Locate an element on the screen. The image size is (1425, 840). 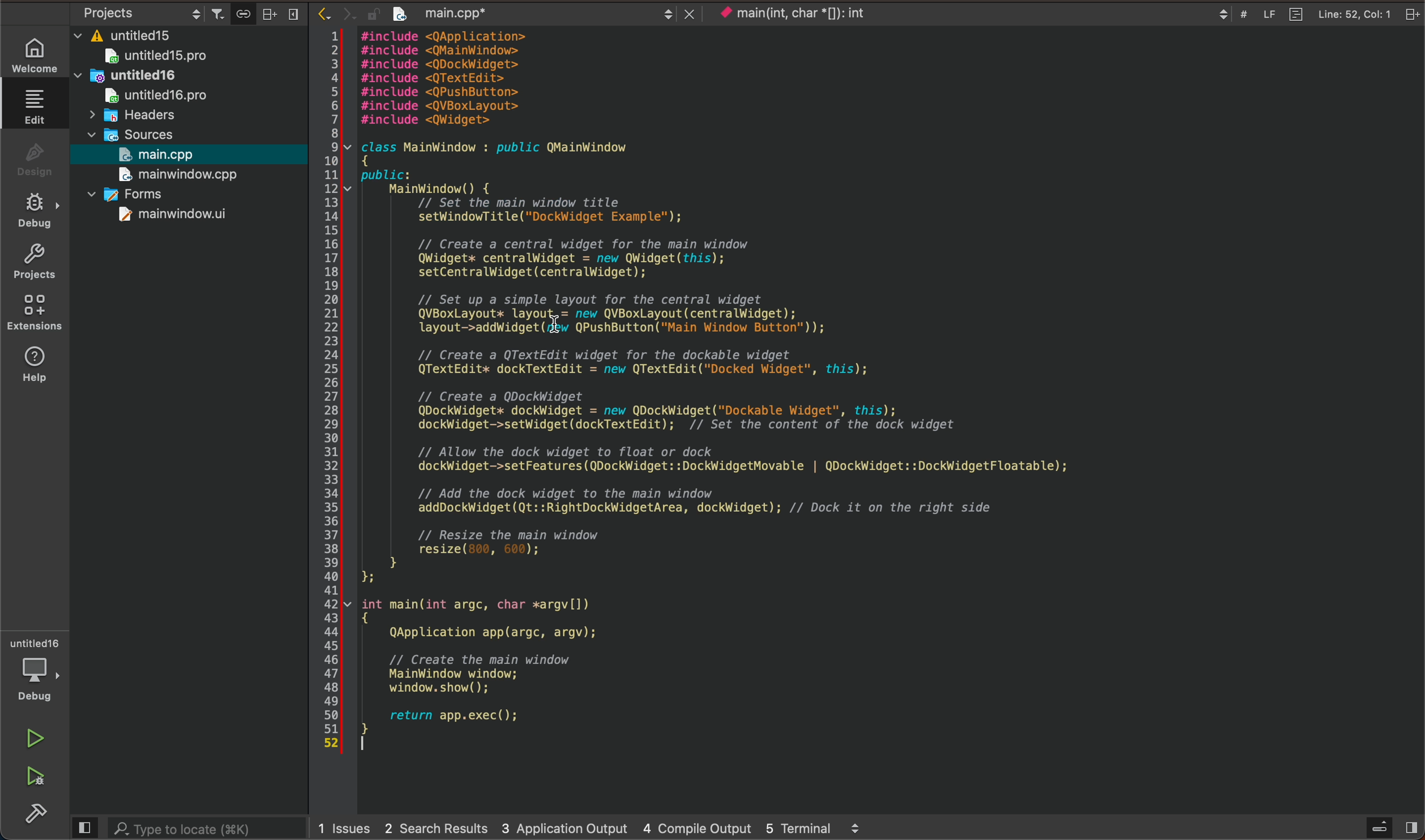
search is located at coordinates (208, 829).